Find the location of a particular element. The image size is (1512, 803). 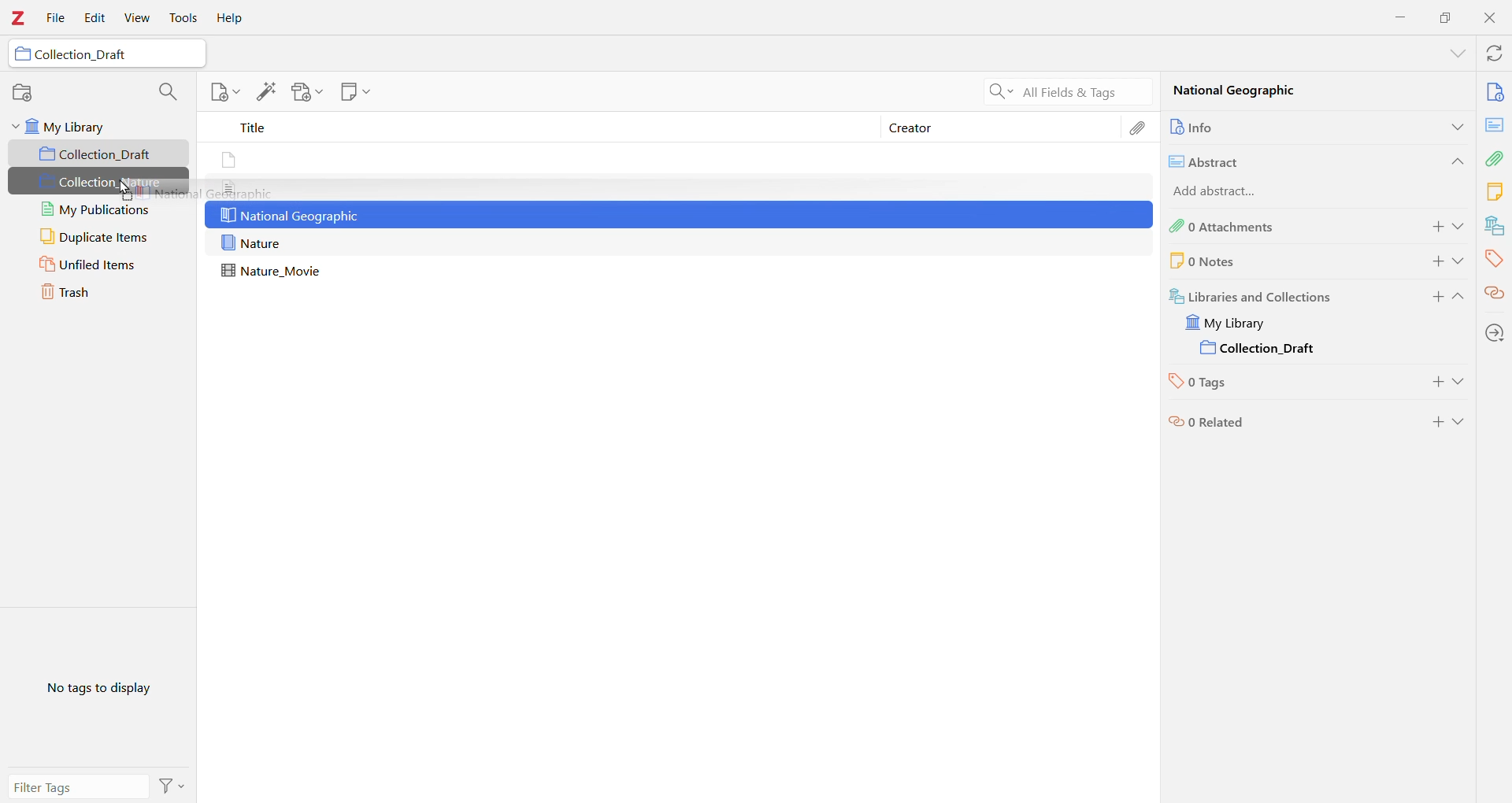

Selected Item Title is located at coordinates (1247, 93).